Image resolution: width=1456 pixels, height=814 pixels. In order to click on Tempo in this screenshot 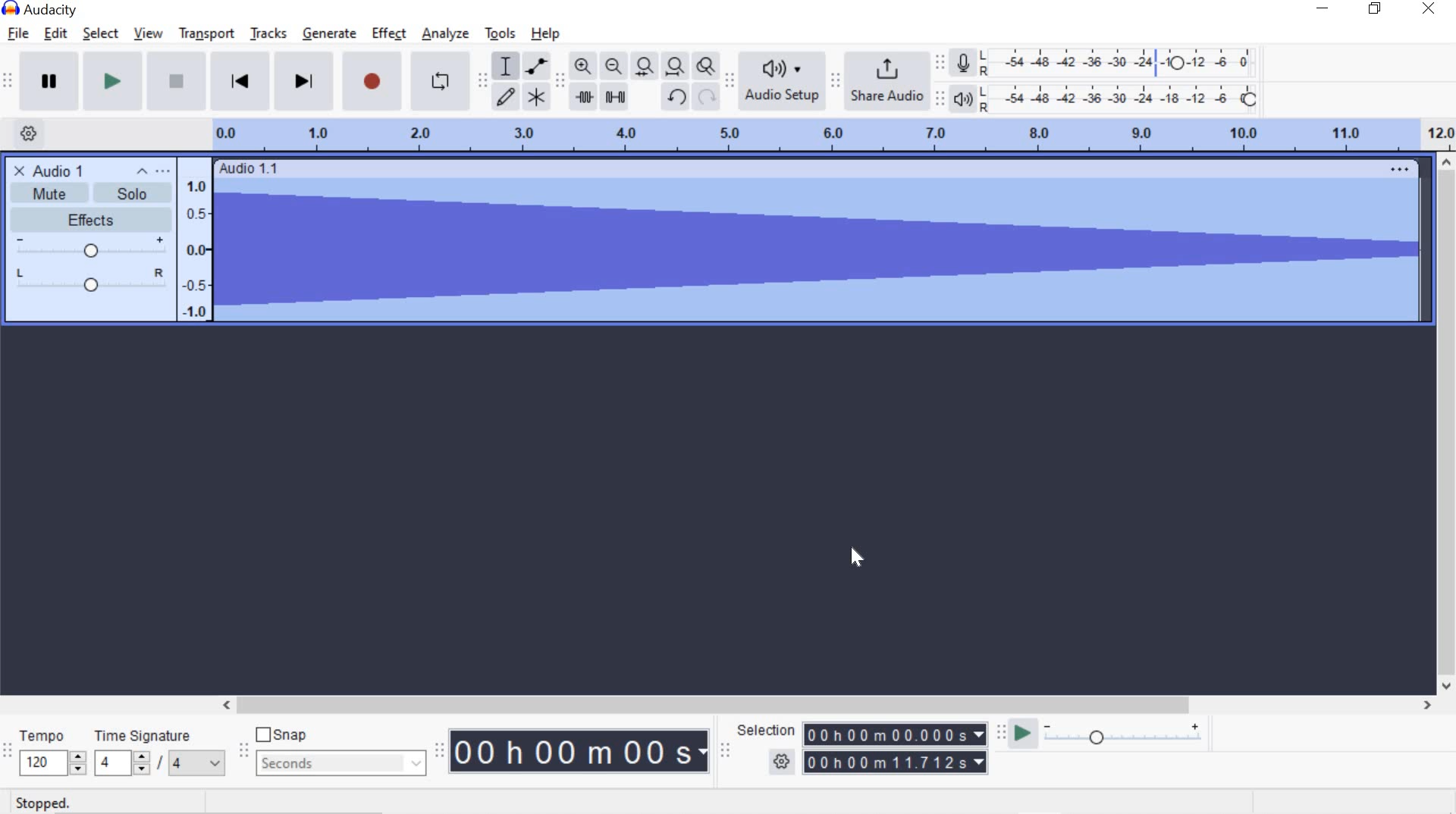, I will do `click(52, 750)`.